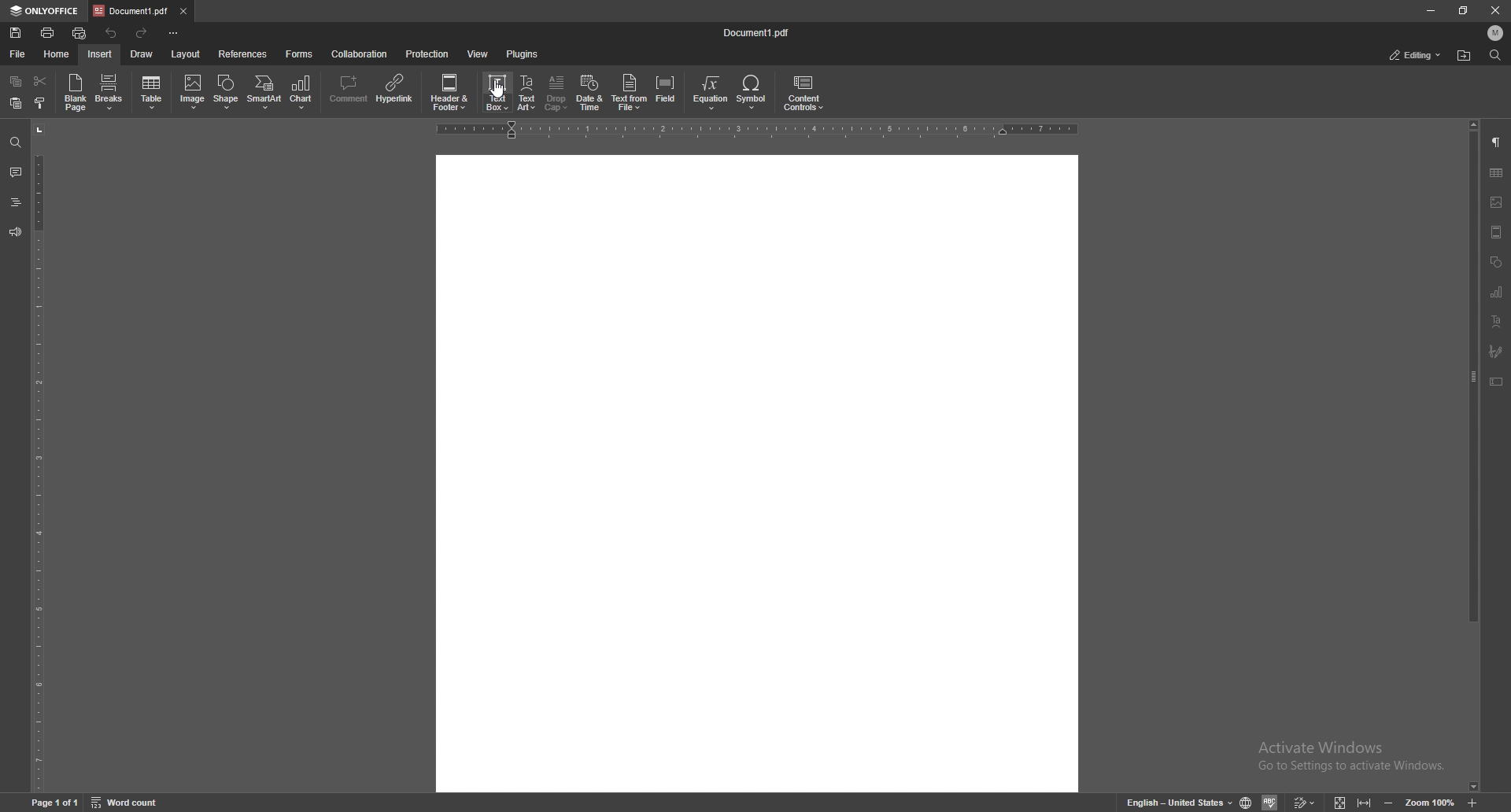  I want to click on status, so click(1416, 55).